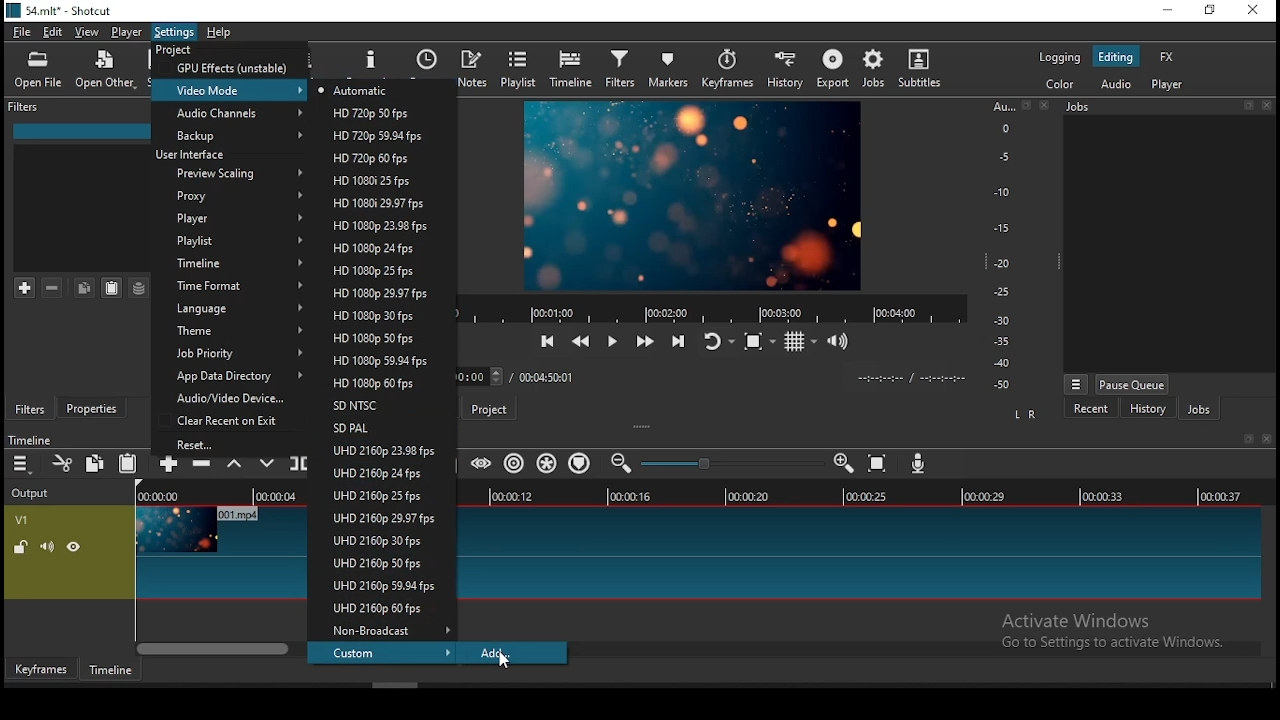 The height and width of the screenshot is (720, 1280). What do you see at coordinates (717, 340) in the screenshot?
I see `toggle player looping` at bounding box center [717, 340].